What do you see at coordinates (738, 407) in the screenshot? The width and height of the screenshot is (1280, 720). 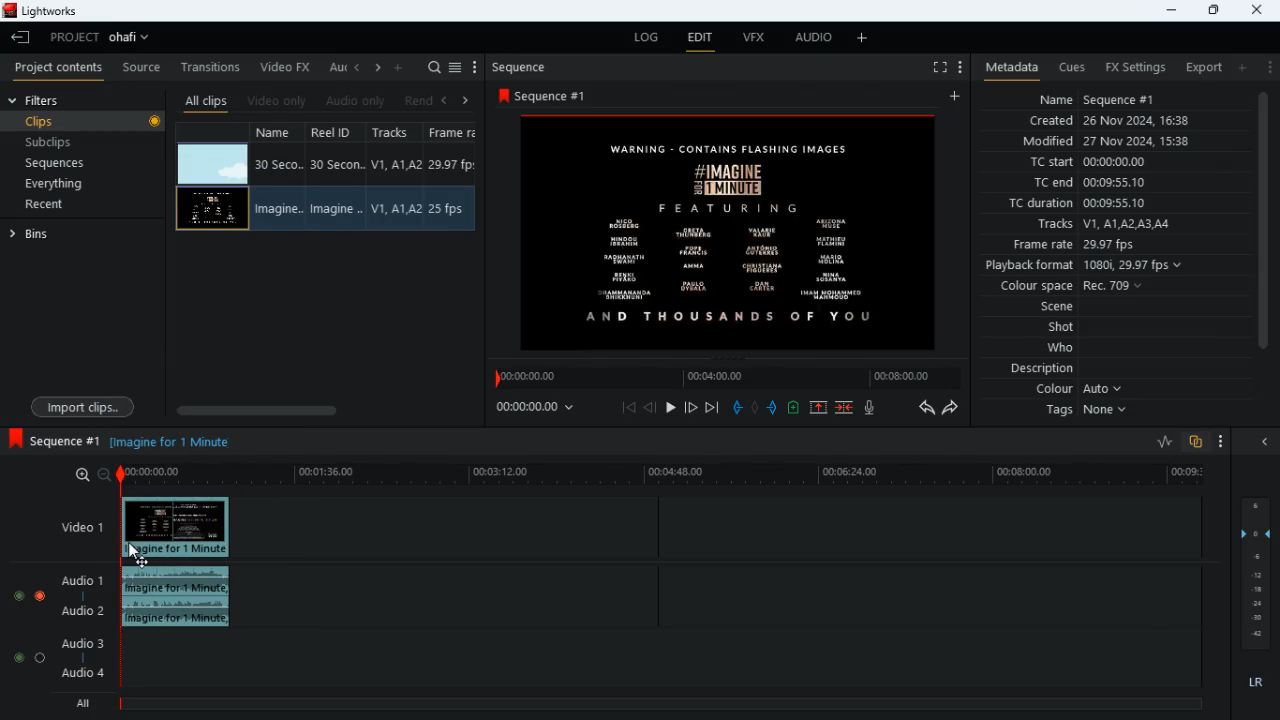 I see `pull` at bounding box center [738, 407].